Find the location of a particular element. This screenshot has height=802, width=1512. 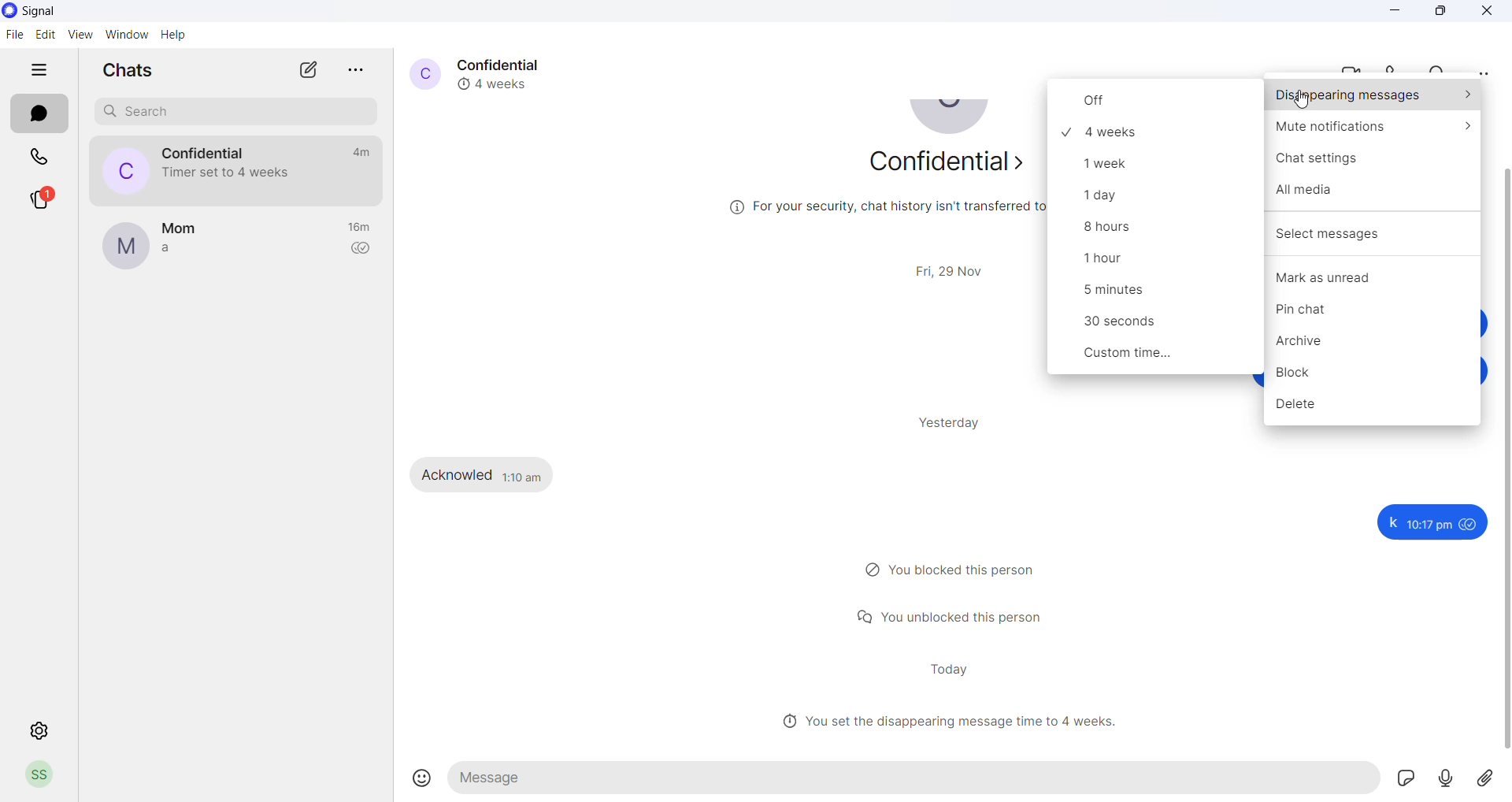

contact name is located at coordinates (206, 152).